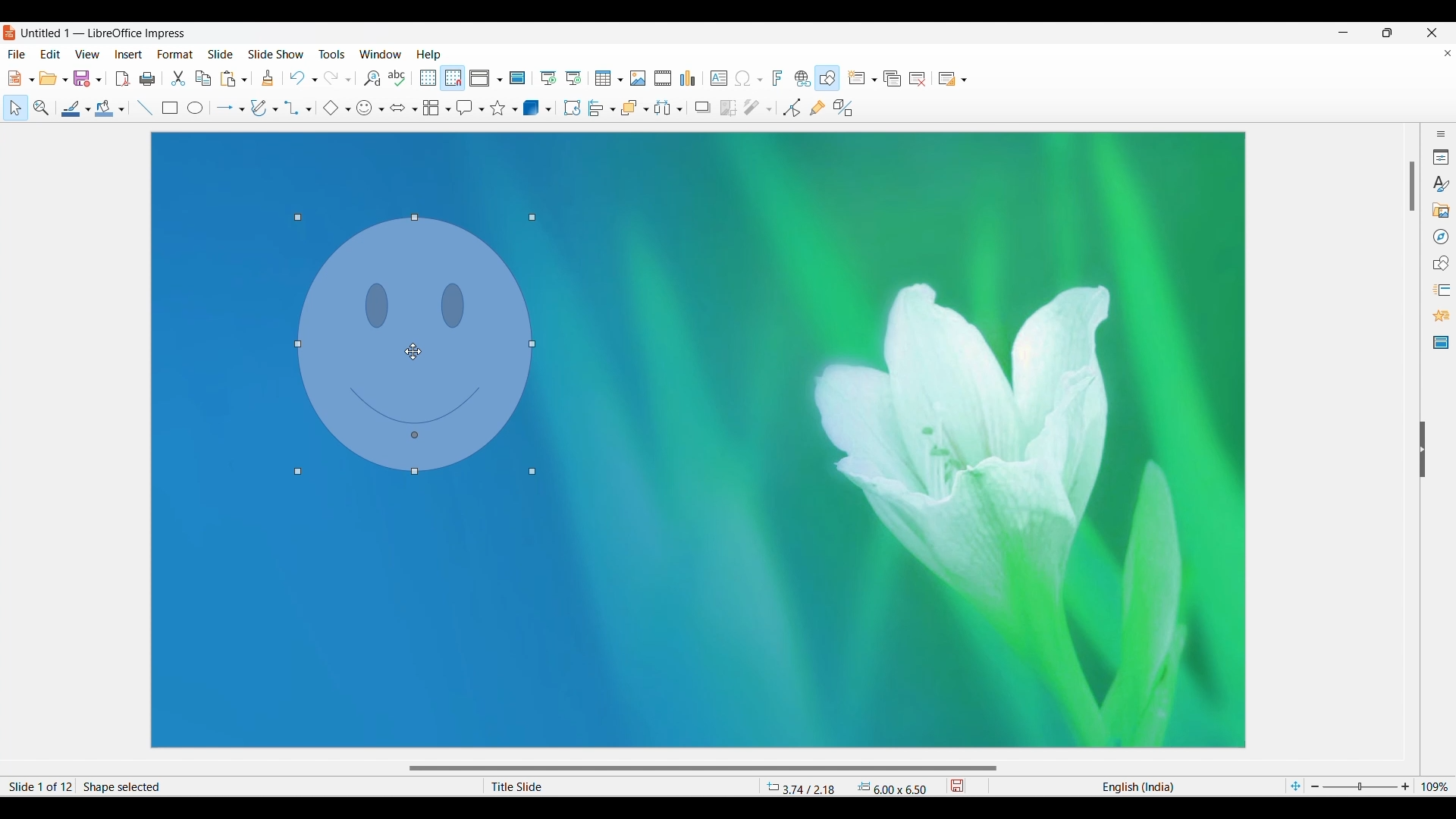 The height and width of the screenshot is (819, 1456). Describe the element at coordinates (1413, 187) in the screenshot. I see `Vertical slide bar` at that location.